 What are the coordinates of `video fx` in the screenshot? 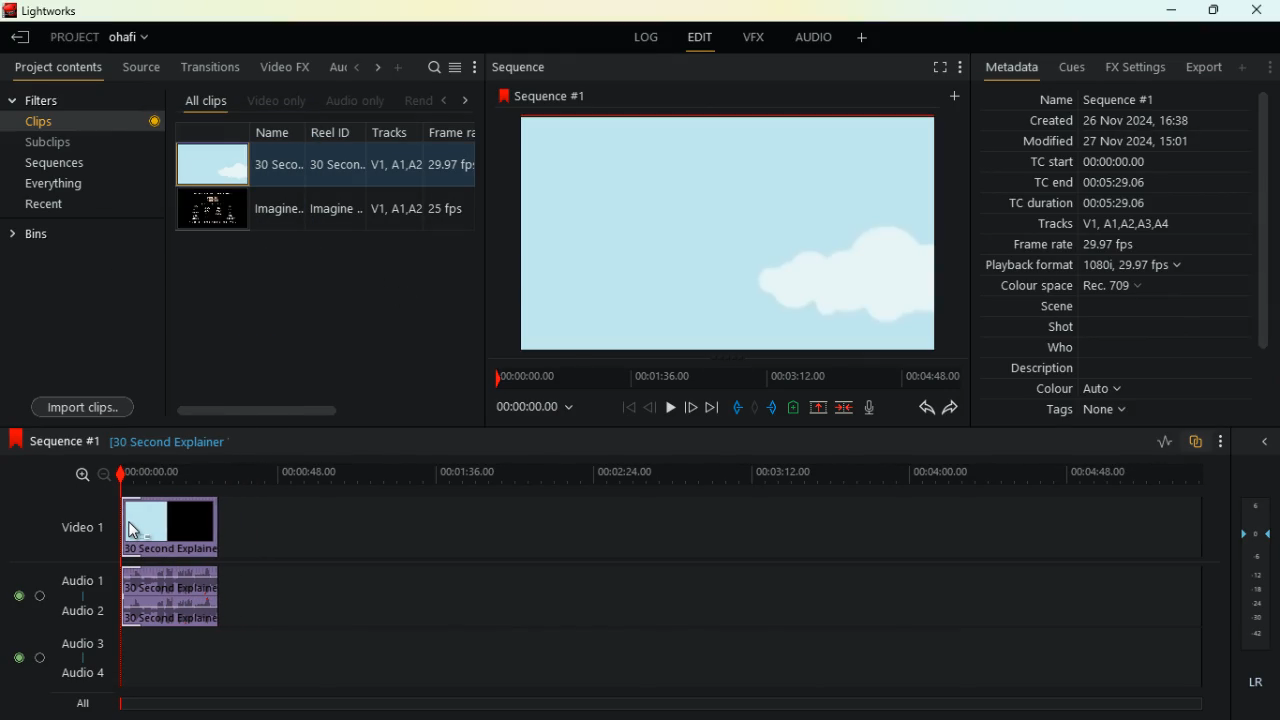 It's located at (282, 66).